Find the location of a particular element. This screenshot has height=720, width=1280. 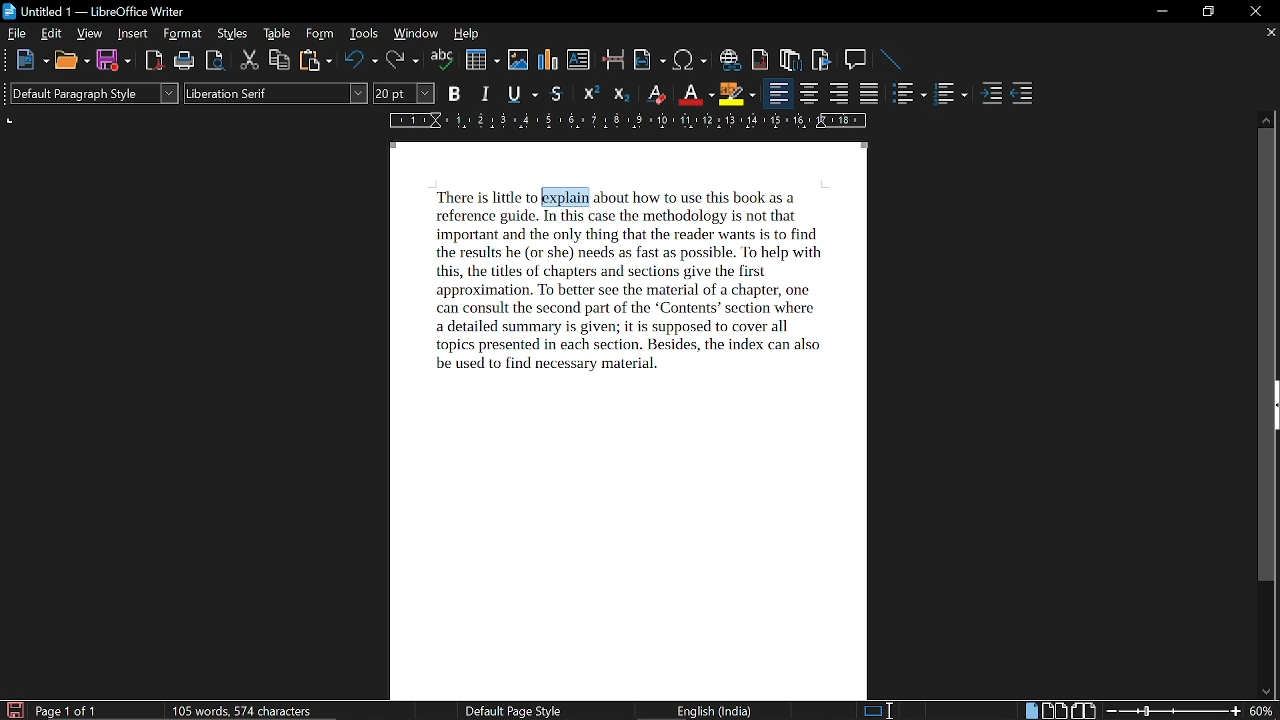

styles is located at coordinates (233, 35).